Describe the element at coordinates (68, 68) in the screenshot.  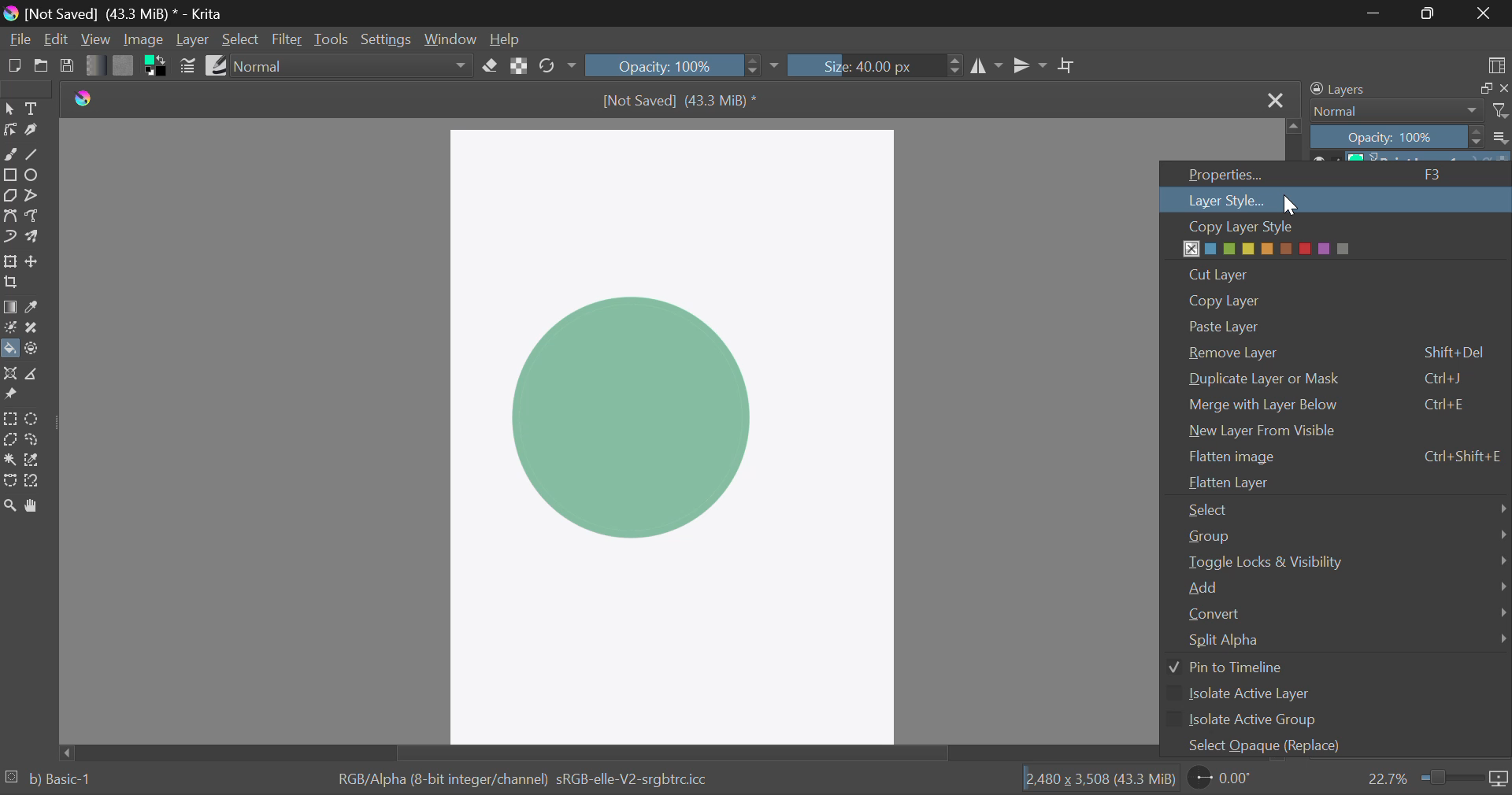
I see `Save` at that location.